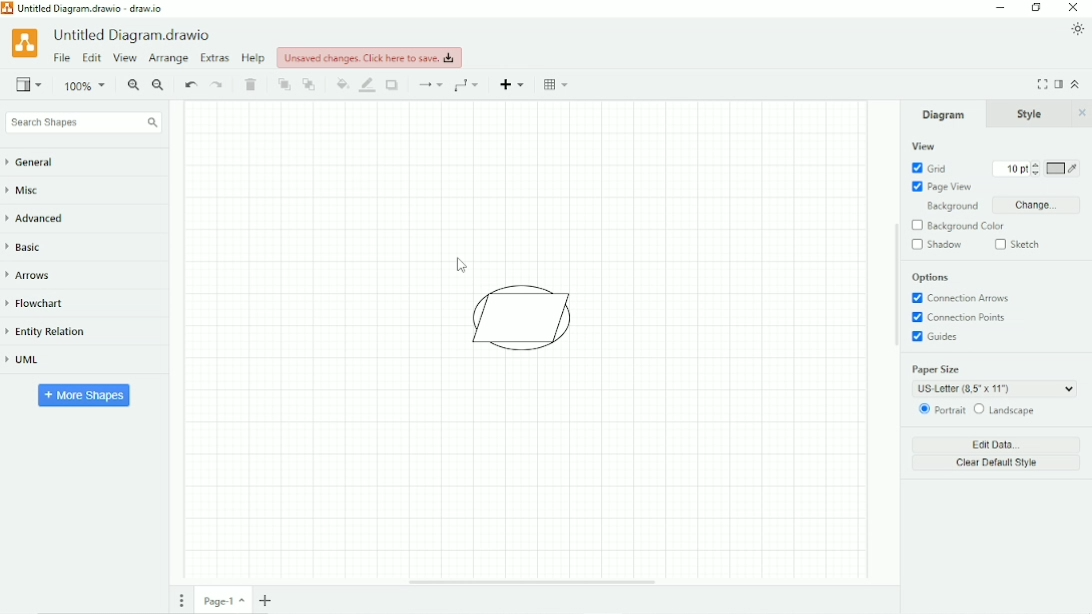 This screenshot has width=1092, height=614. What do you see at coordinates (923, 146) in the screenshot?
I see `View` at bounding box center [923, 146].